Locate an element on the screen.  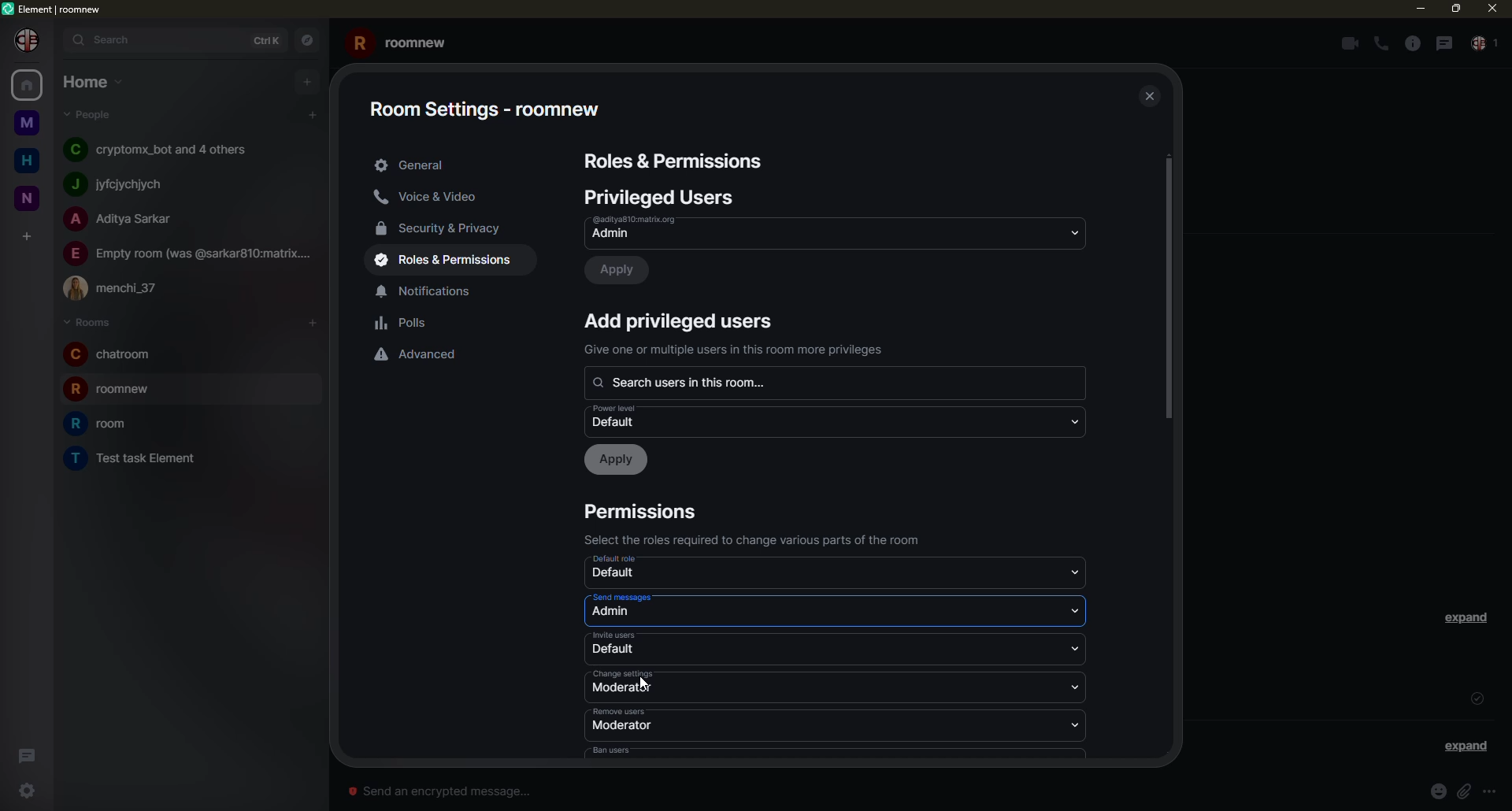
default is located at coordinates (616, 575).